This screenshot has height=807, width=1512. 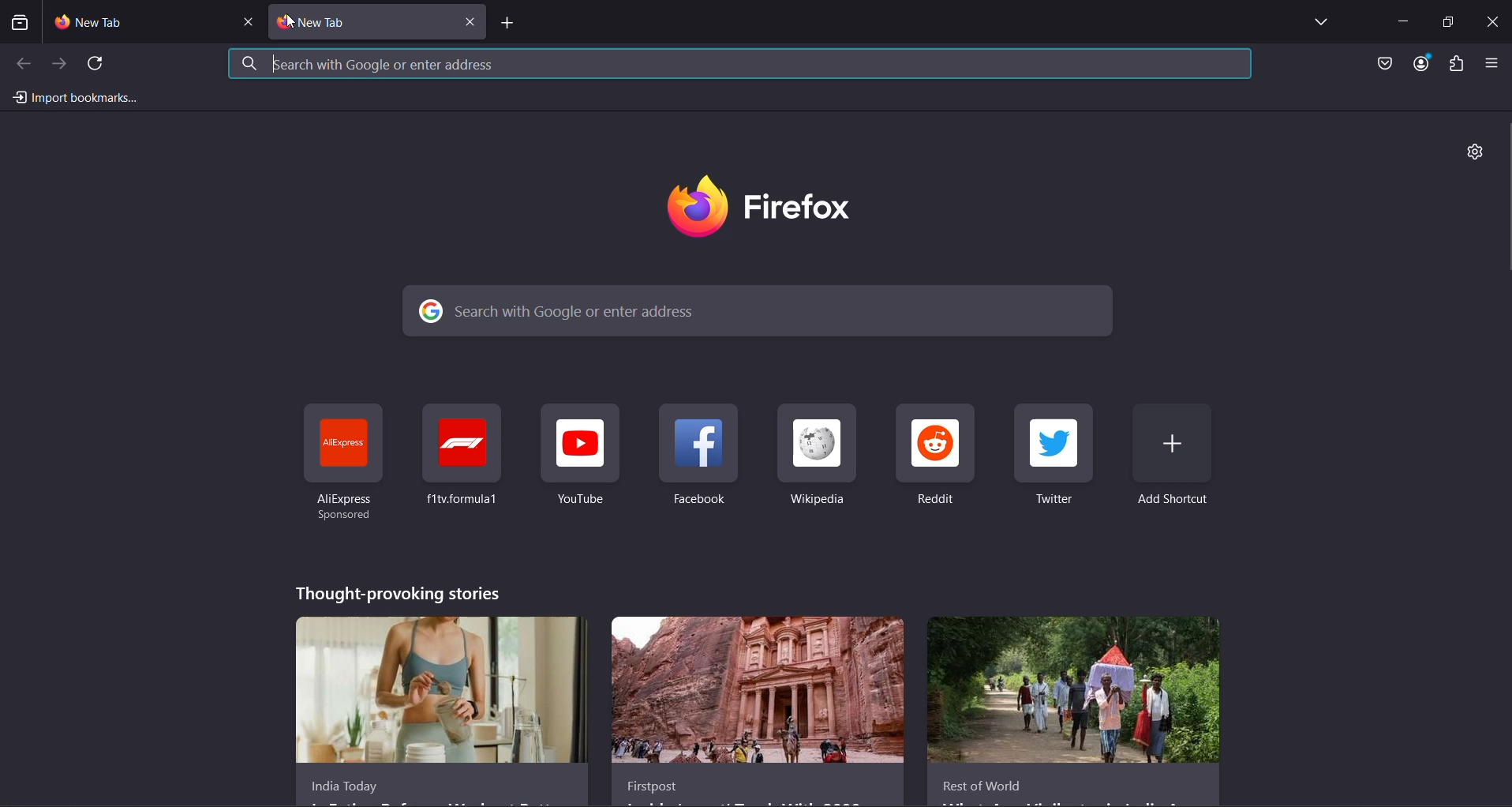 I want to click on cursor, so click(x=292, y=22).